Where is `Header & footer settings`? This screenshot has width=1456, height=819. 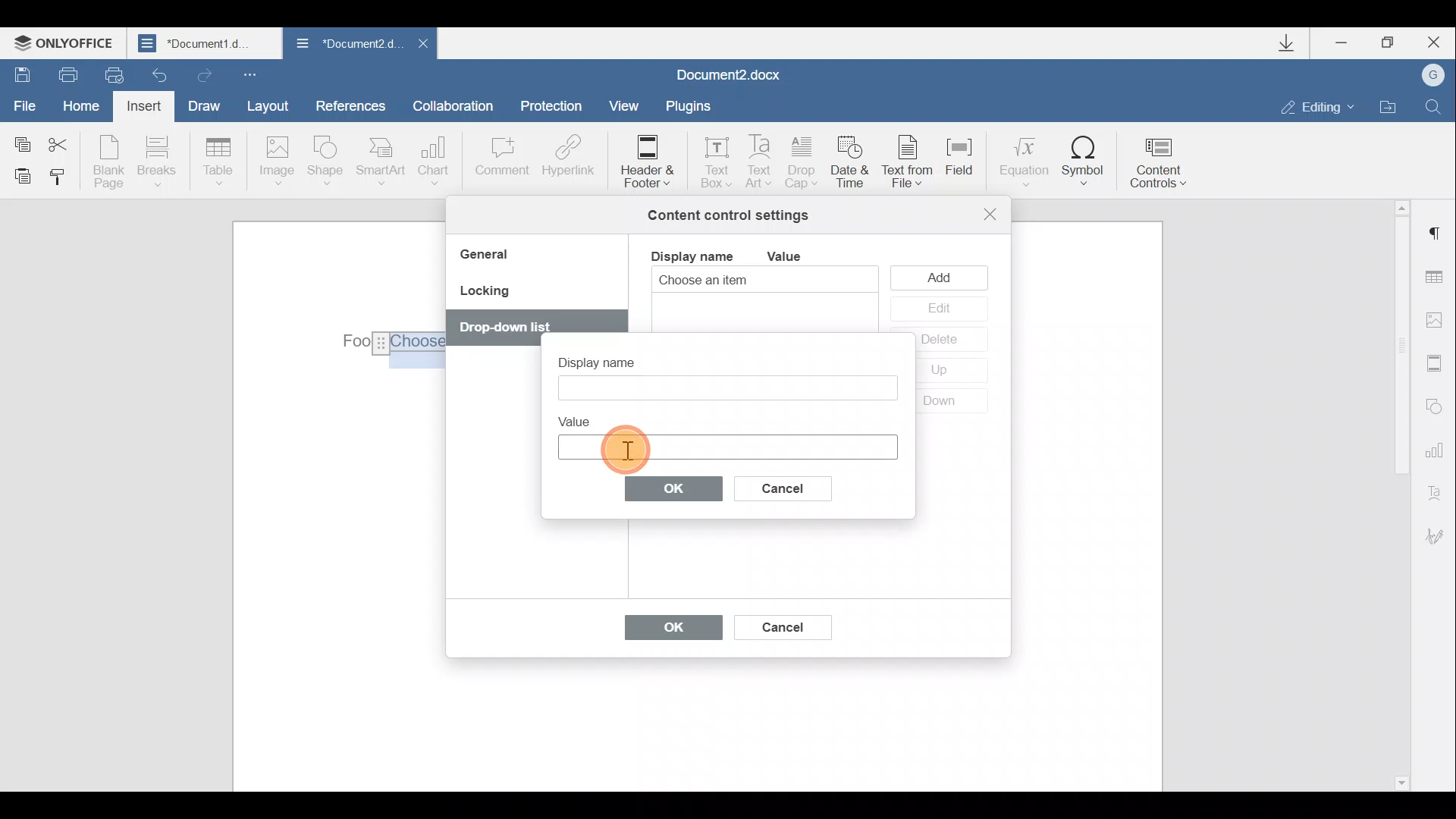 Header & footer settings is located at coordinates (1438, 362).